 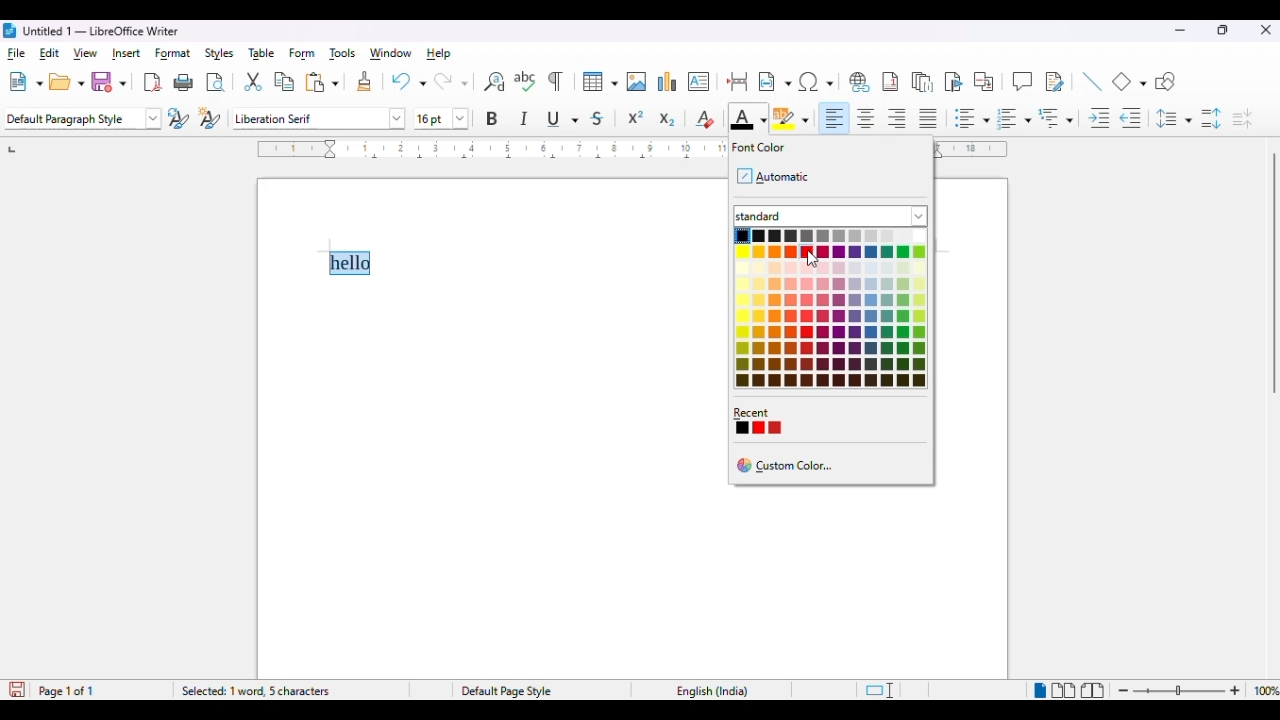 I want to click on character highlighting color, so click(x=792, y=118).